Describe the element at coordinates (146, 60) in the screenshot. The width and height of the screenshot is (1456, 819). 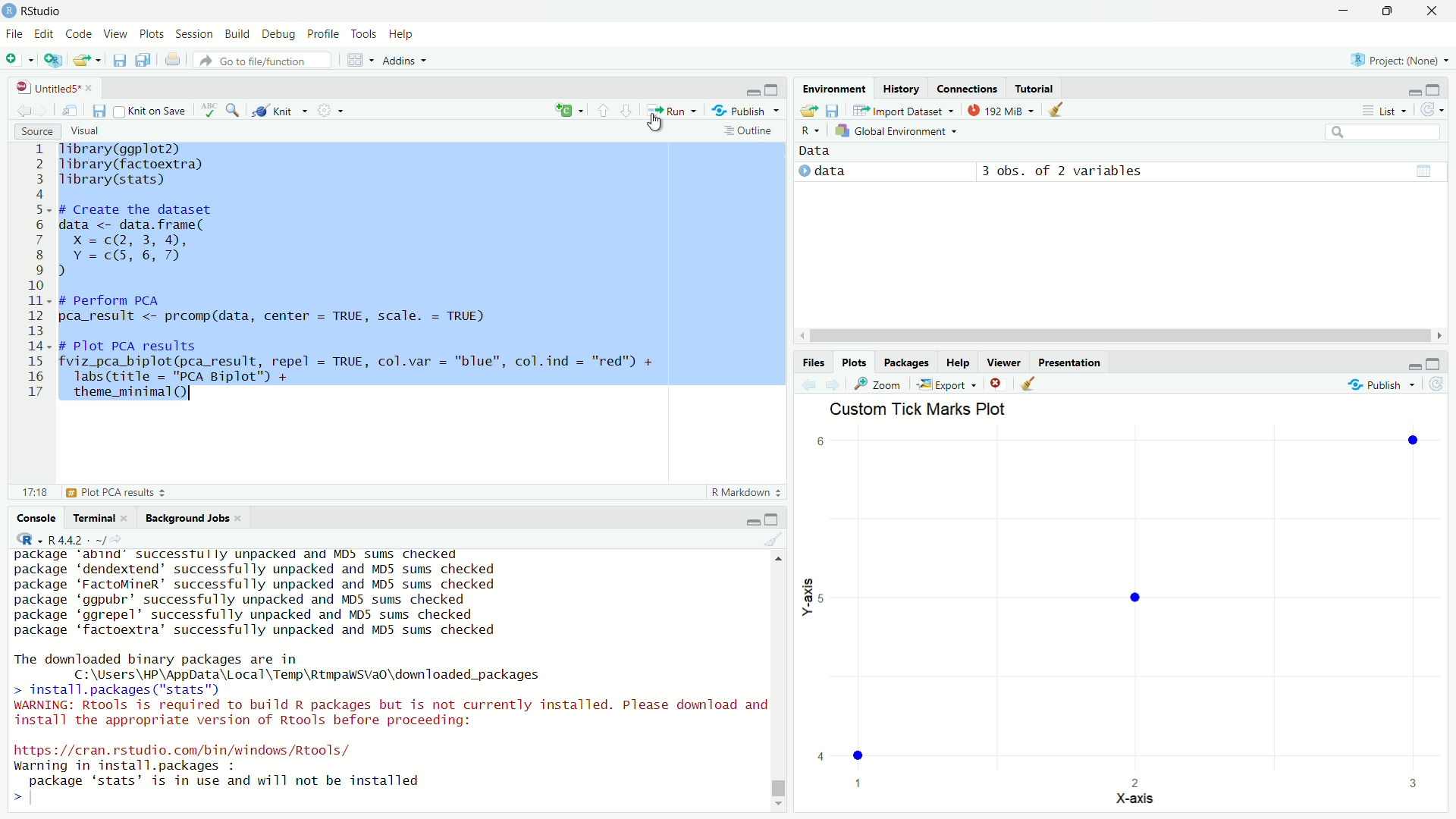
I see `save all open documents` at that location.